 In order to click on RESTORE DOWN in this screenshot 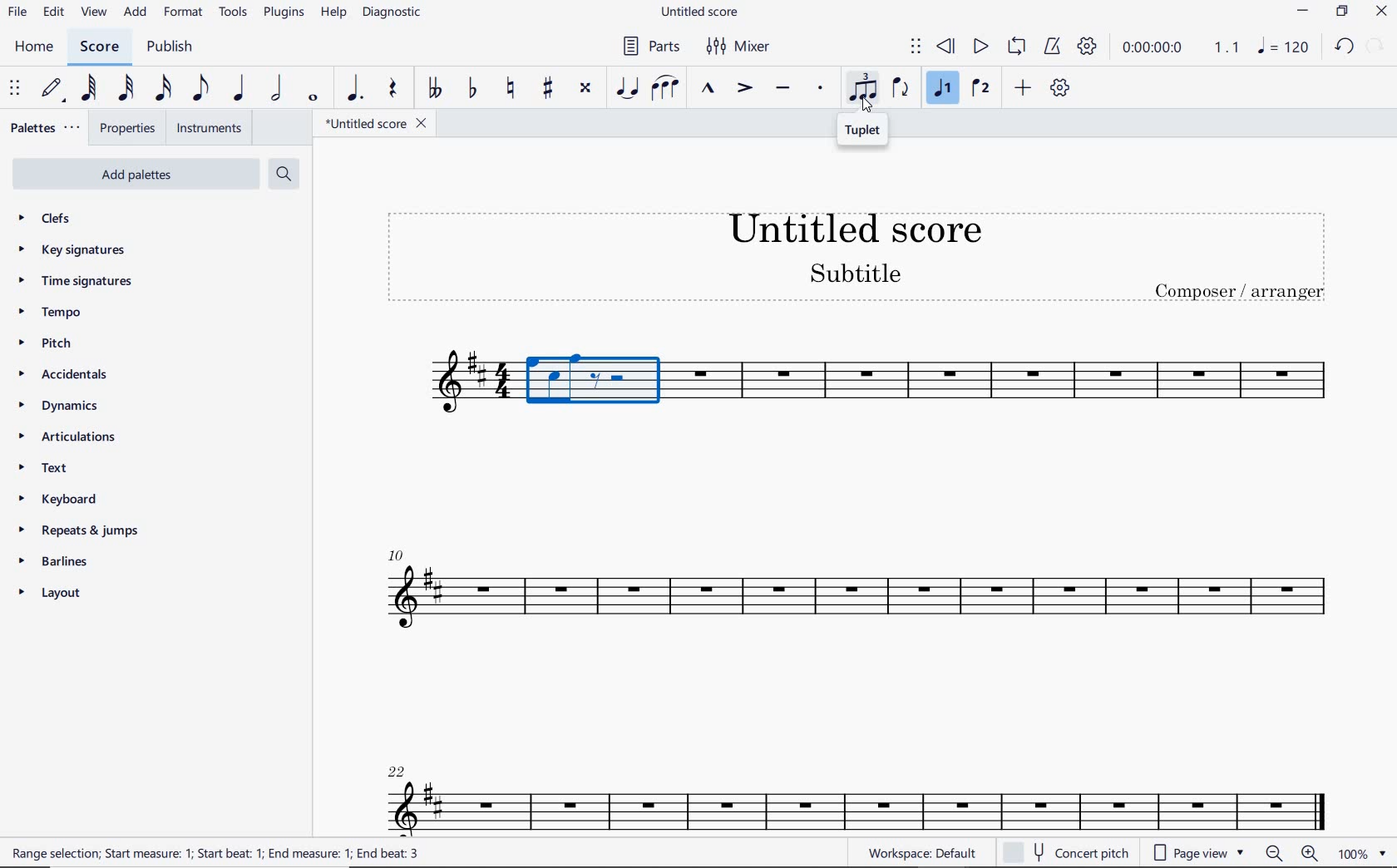, I will do `click(1342, 12)`.